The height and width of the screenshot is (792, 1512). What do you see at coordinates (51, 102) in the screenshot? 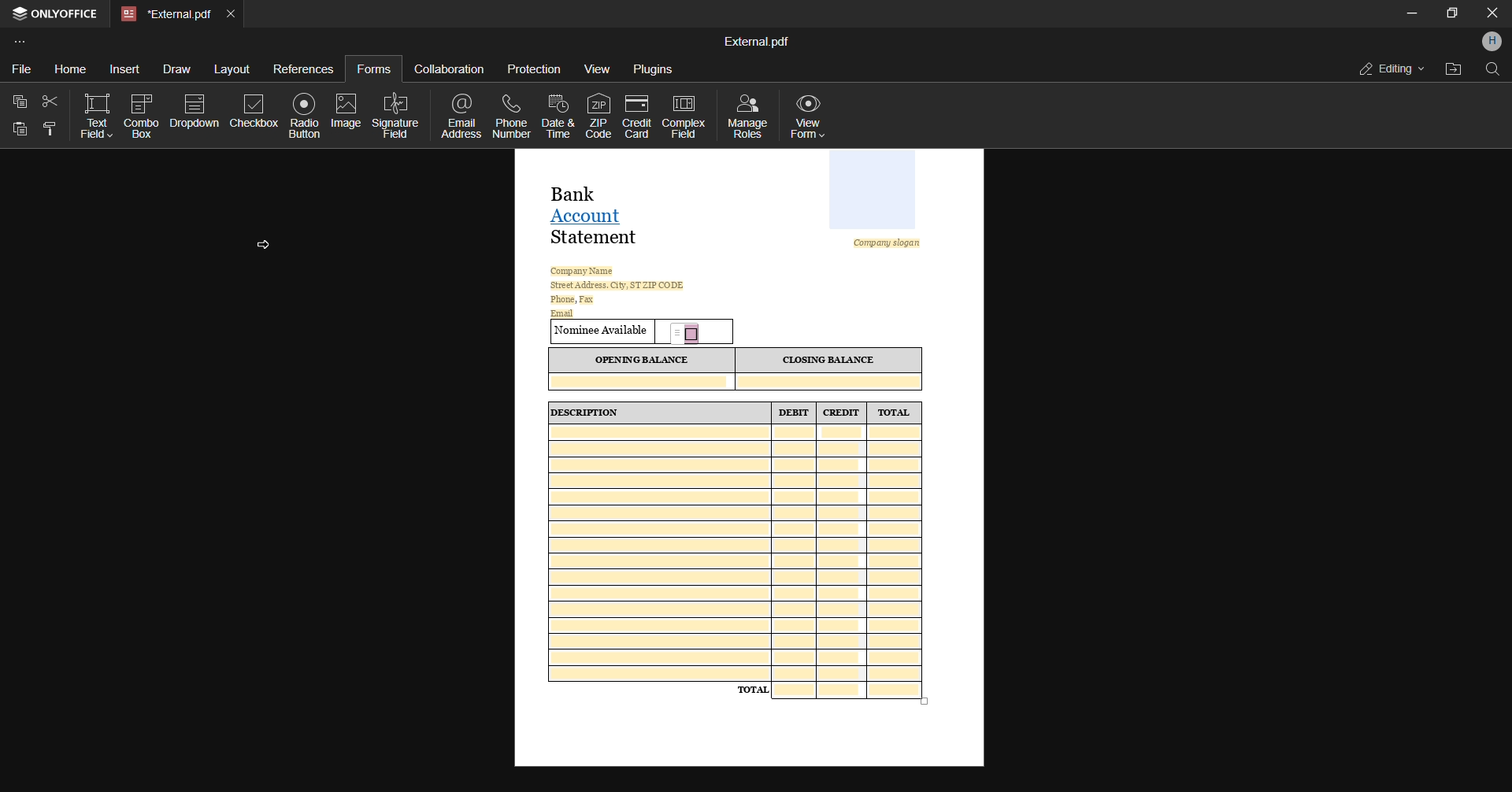
I see `cut` at bounding box center [51, 102].